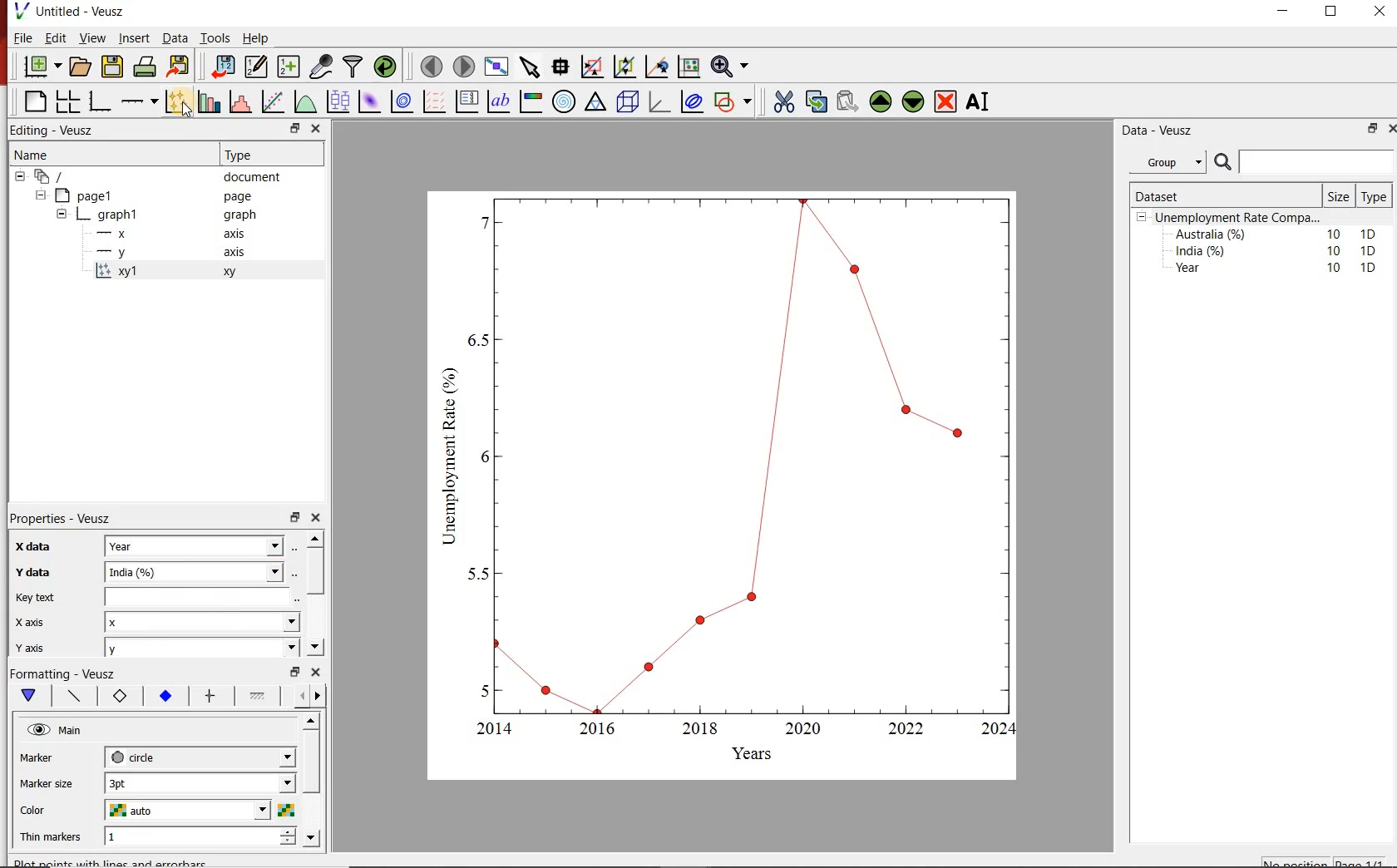  Describe the element at coordinates (1302, 162) in the screenshot. I see `search bar` at that location.